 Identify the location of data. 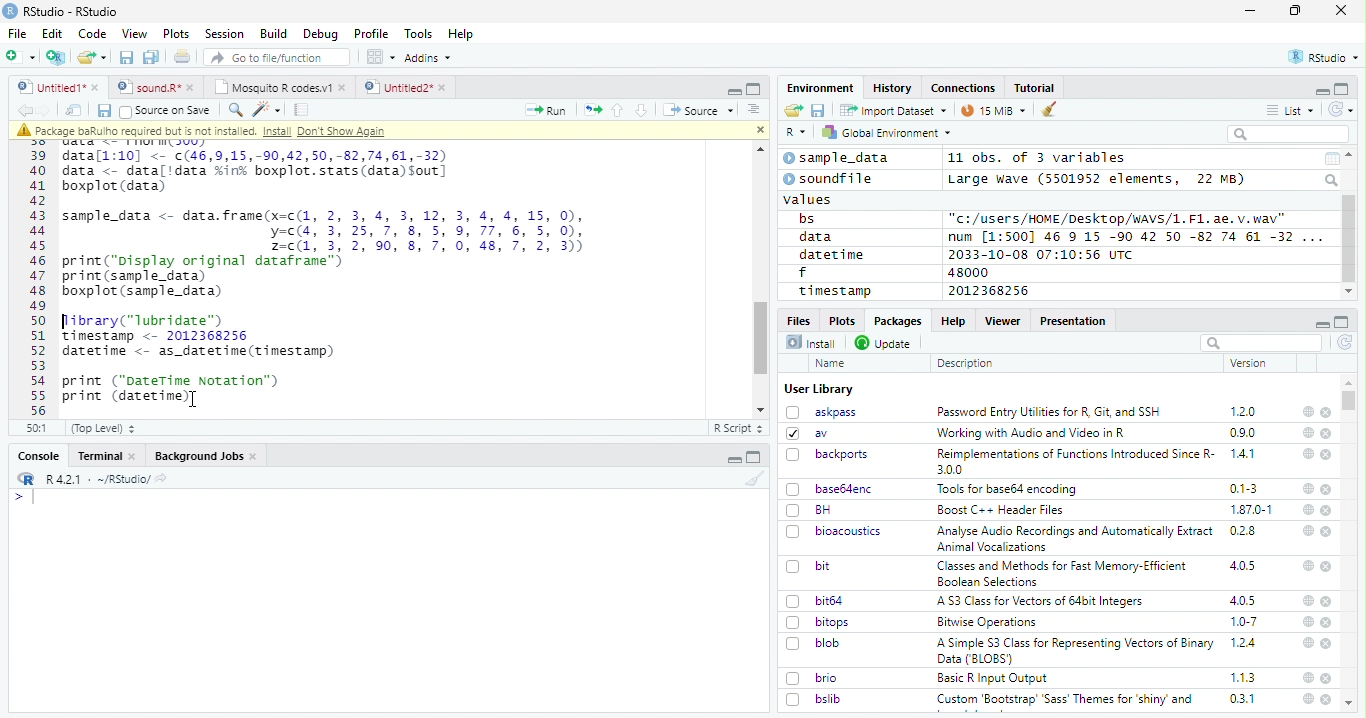
(819, 237).